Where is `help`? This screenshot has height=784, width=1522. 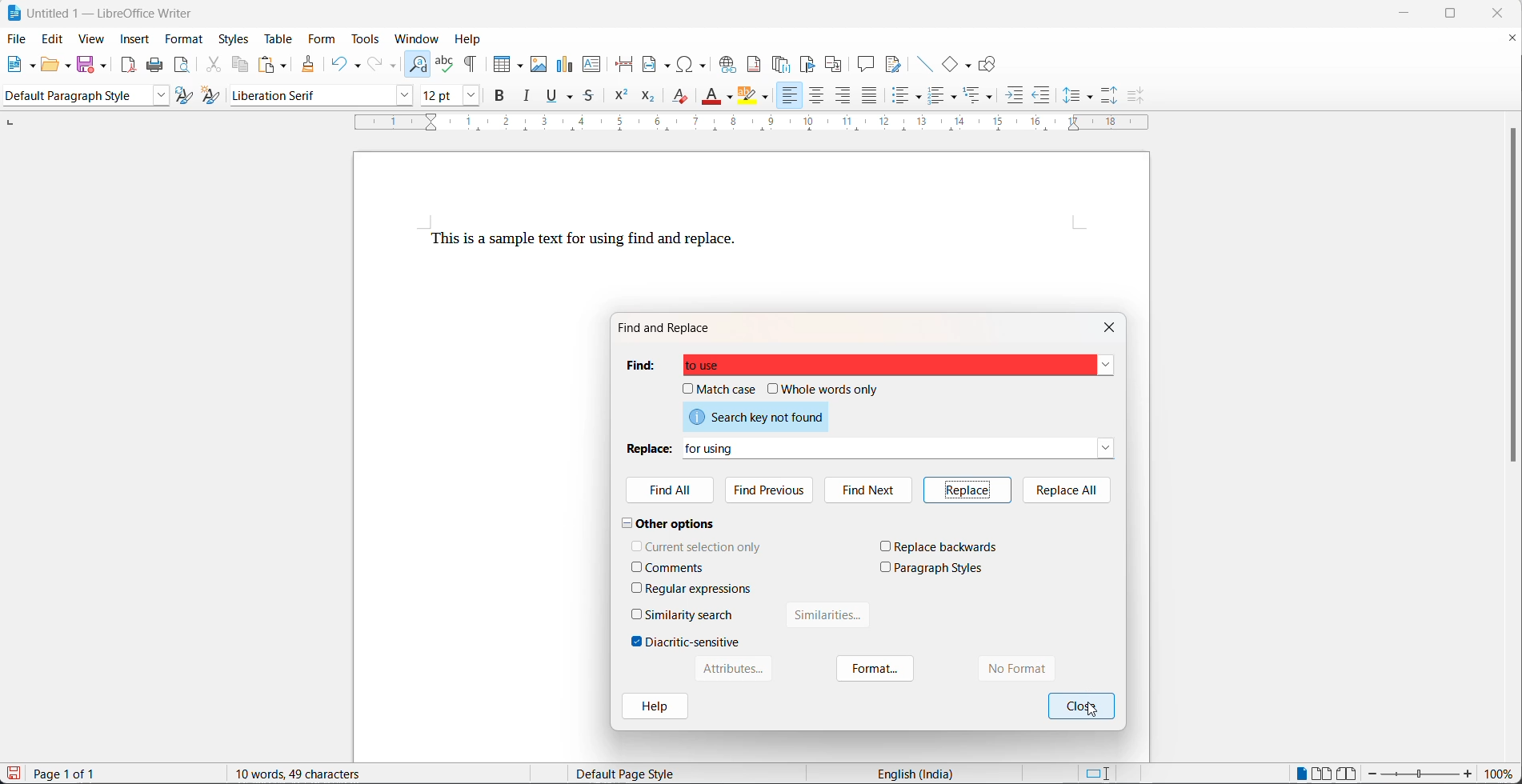
help is located at coordinates (473, 38).